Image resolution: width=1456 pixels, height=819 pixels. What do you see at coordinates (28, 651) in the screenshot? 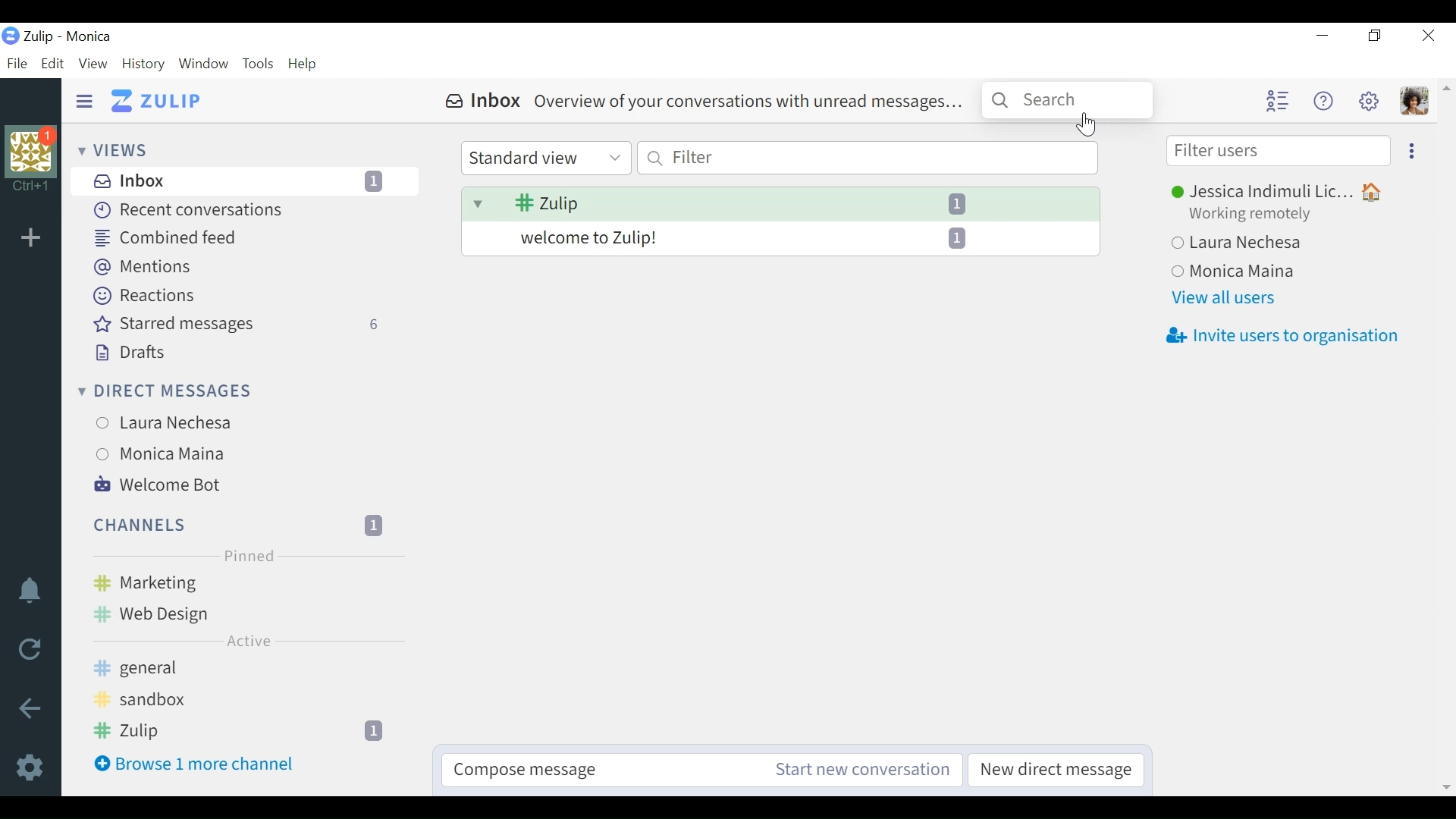
I see `Reload` at bounding box center [28, 651].